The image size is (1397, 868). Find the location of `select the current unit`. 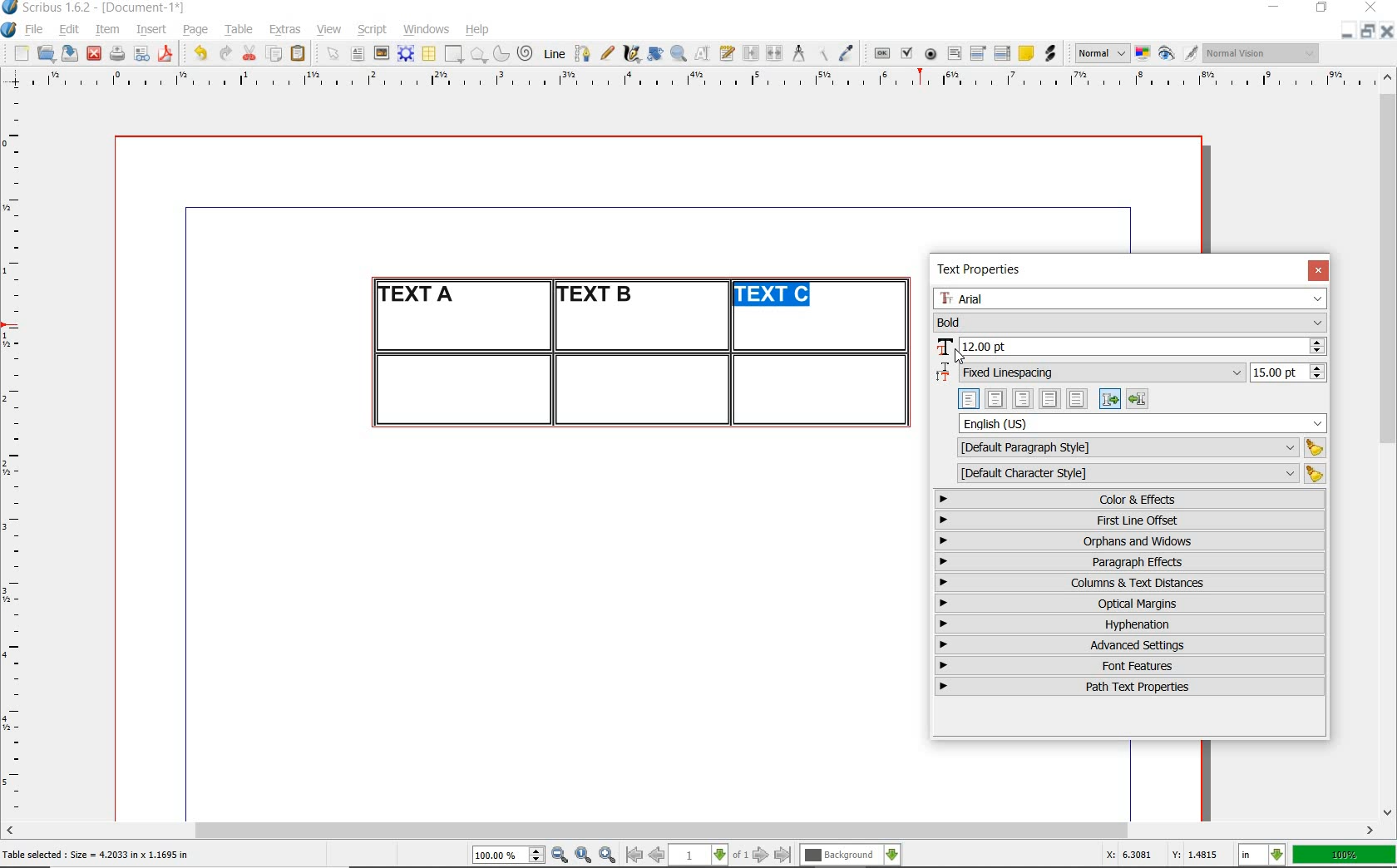

select the current unit is located at coordinates (1262, 856).